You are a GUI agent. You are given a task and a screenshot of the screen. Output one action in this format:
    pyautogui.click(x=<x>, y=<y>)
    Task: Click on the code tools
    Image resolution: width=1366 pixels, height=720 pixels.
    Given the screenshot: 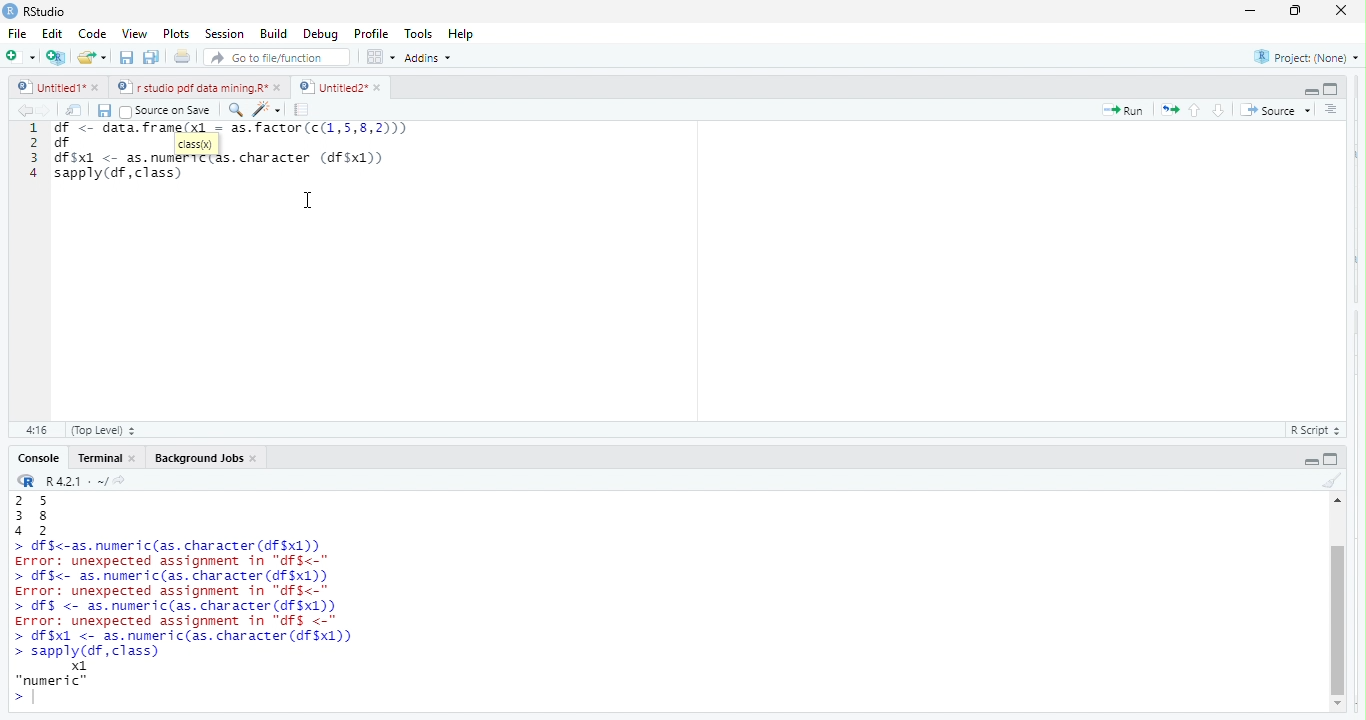 What is the action you would take?
    pyautogui.click(x=270, y=110)
    